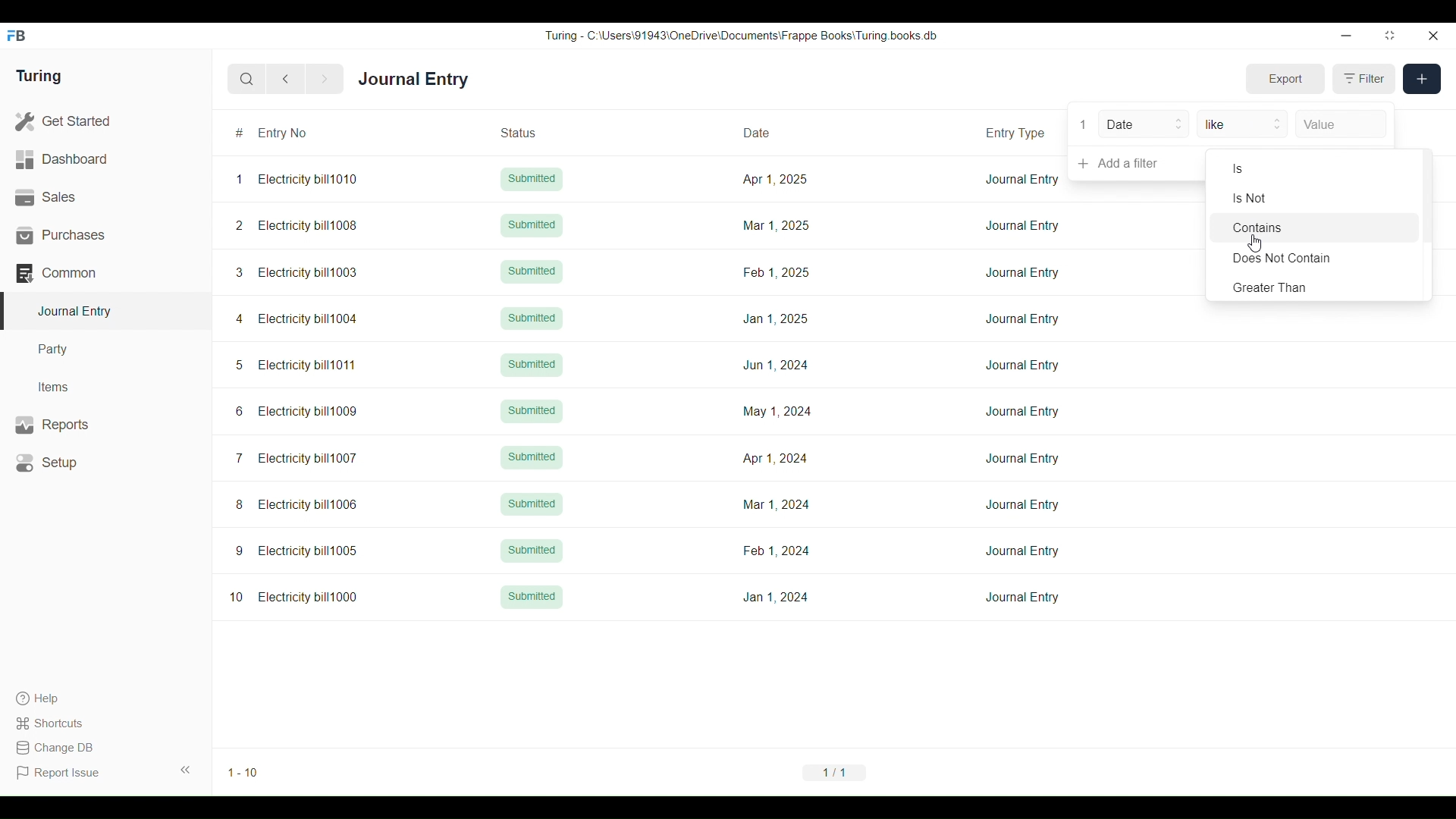  What do you see at coordinates (246, 80) in the screenshot?
I see `Search` at bounding box center [246, 80].